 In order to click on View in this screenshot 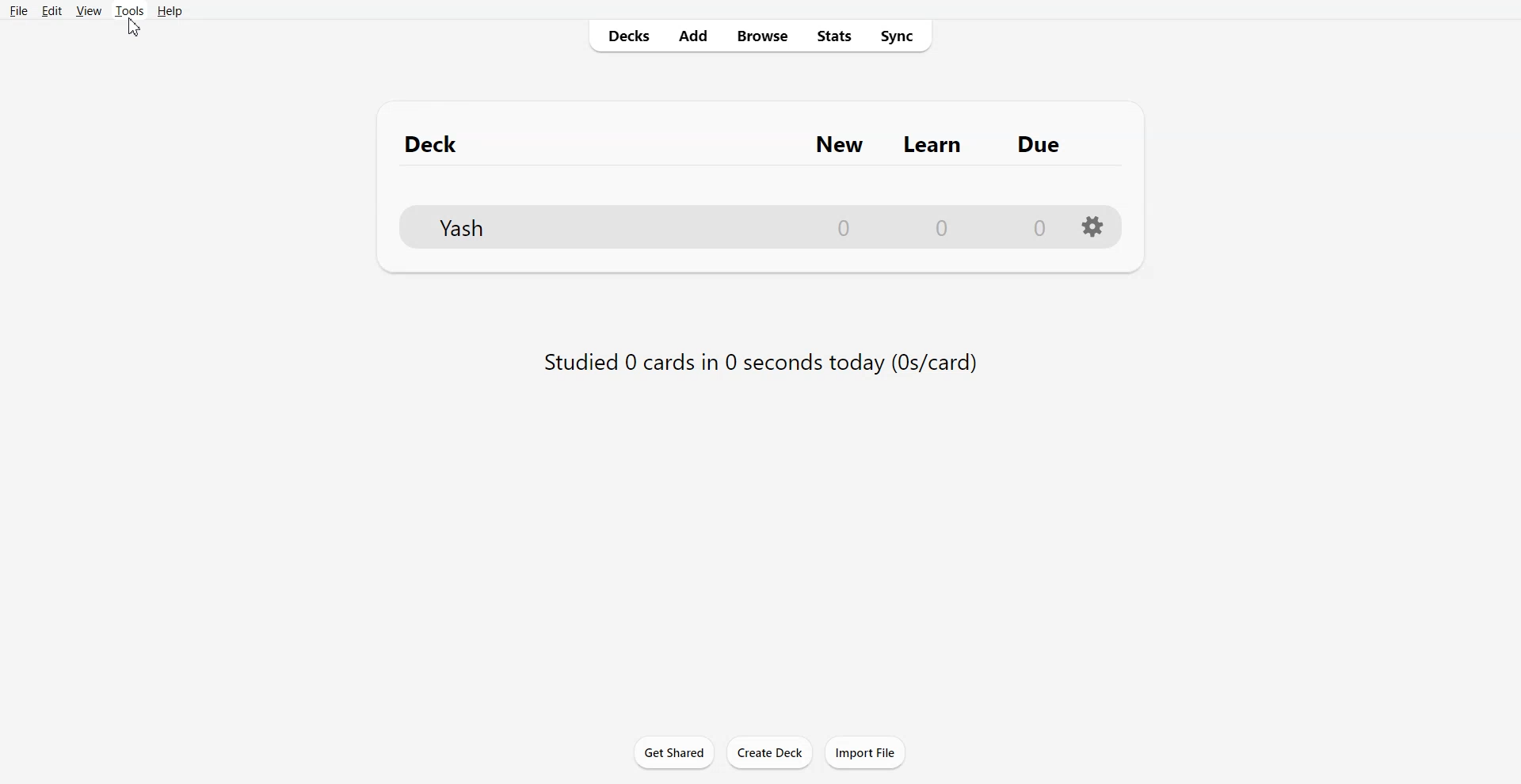, I will do `click(89, 10)`.